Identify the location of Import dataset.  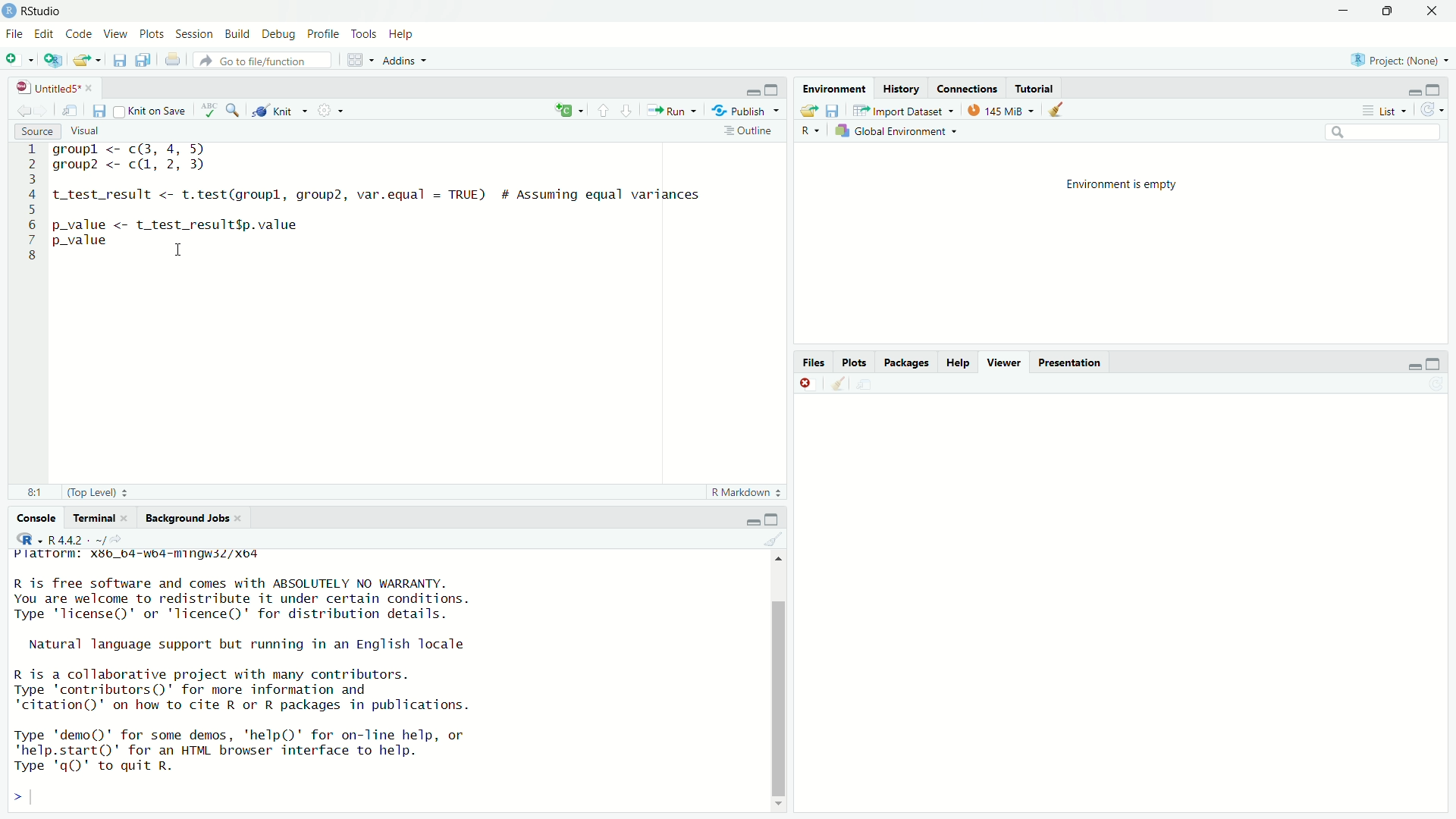
(903, 109).